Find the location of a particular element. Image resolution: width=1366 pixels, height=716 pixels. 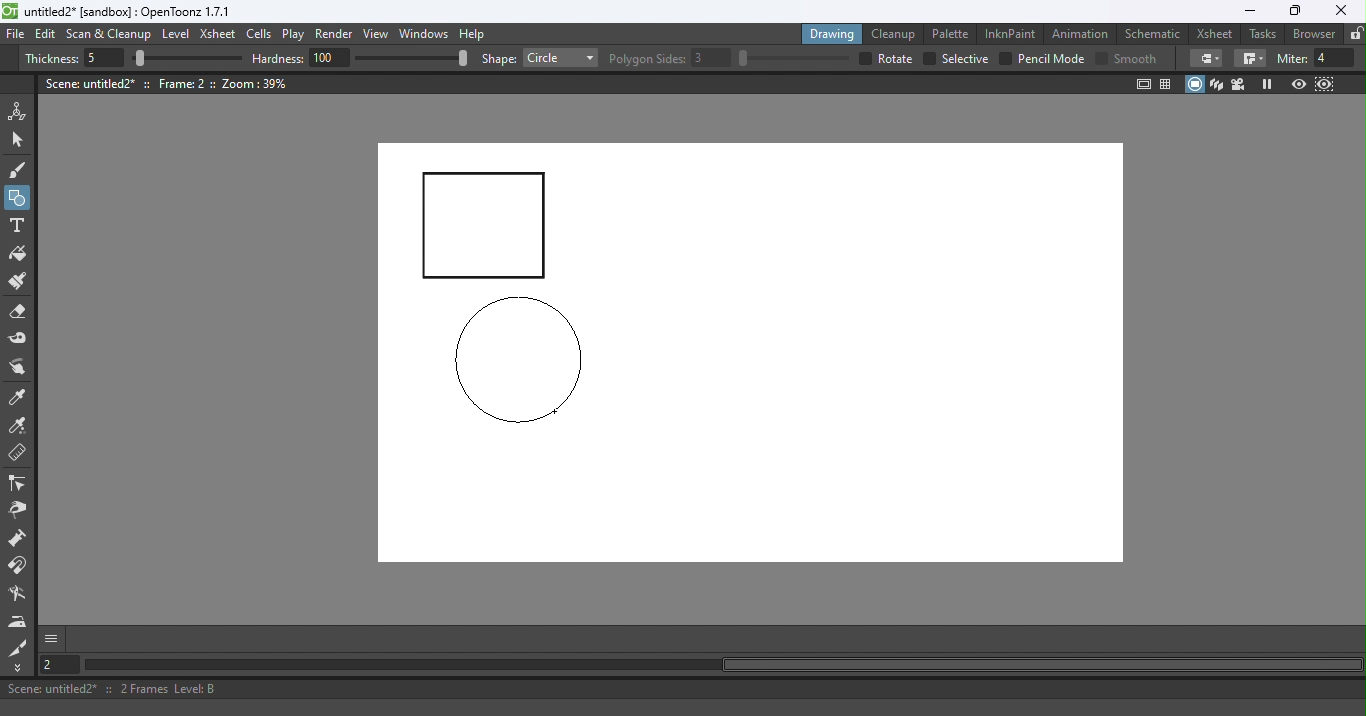

File name is located at coordinates (129, 12).